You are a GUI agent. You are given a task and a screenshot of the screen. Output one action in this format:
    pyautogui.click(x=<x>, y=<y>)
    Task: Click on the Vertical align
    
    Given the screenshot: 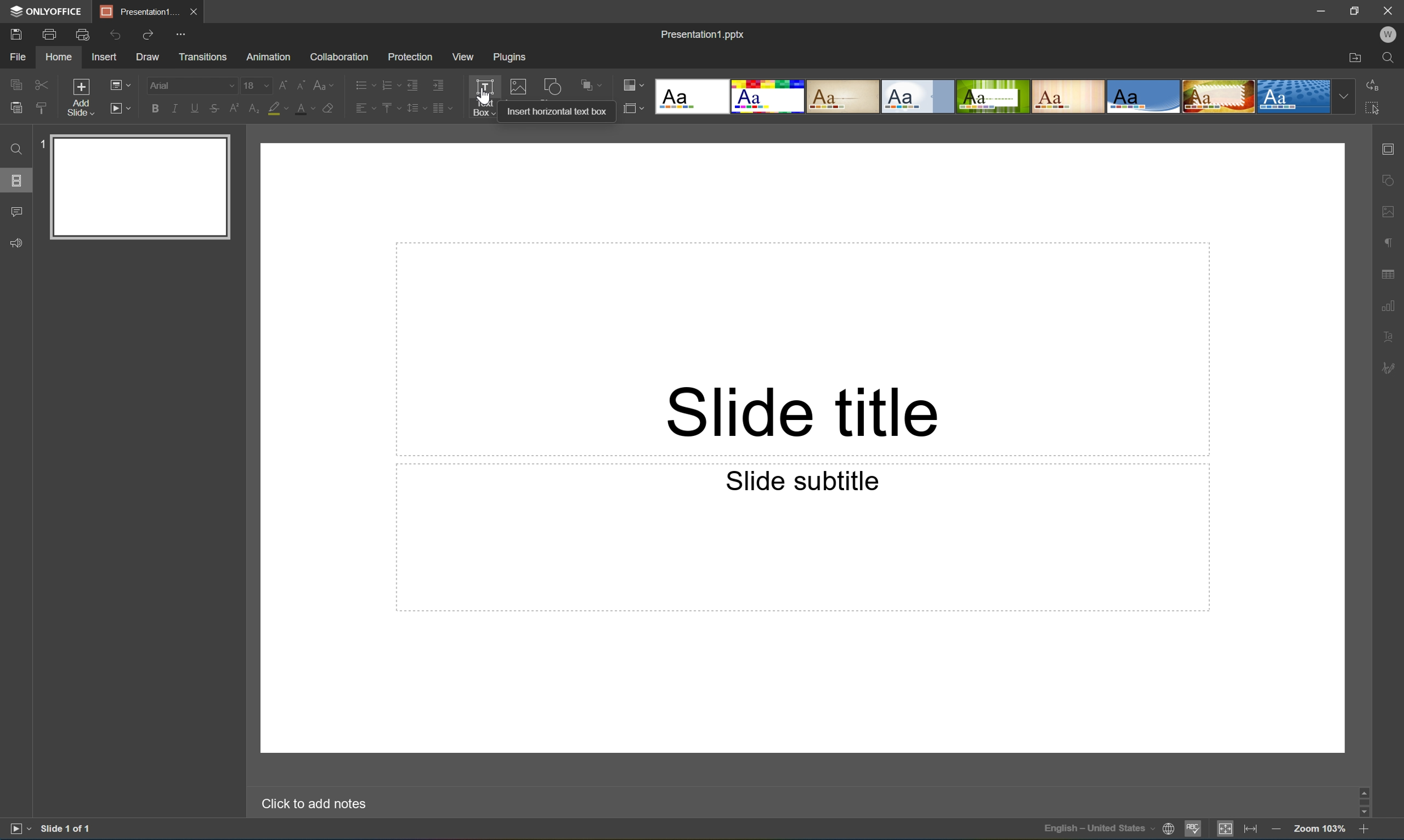 What is the action you would take?
    pyautogui.click(x=389, y=108)
    